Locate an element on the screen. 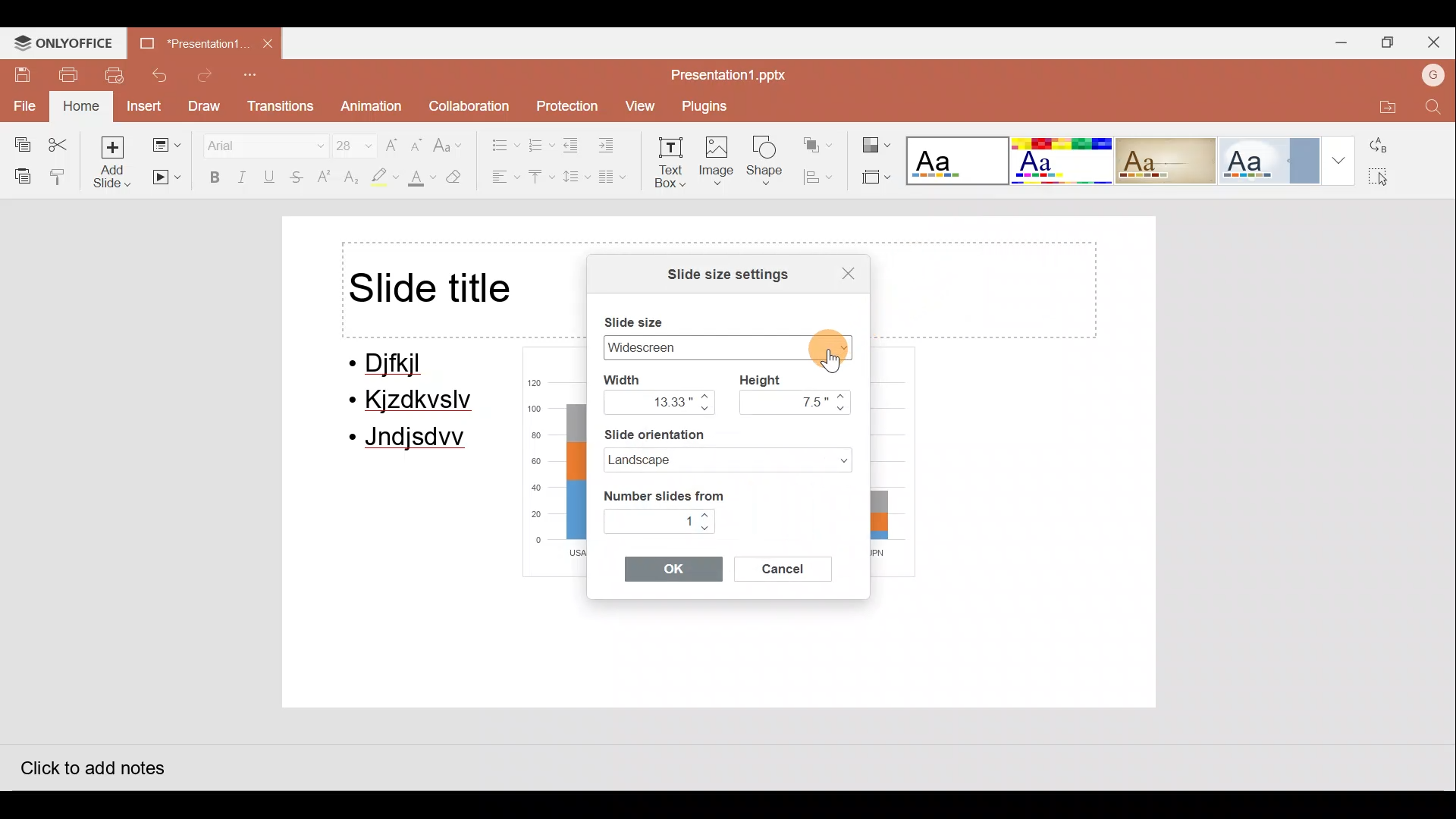 The height and width of the screenshot is (819, 1456). Strikethrough is located at coordinates (298, 179).